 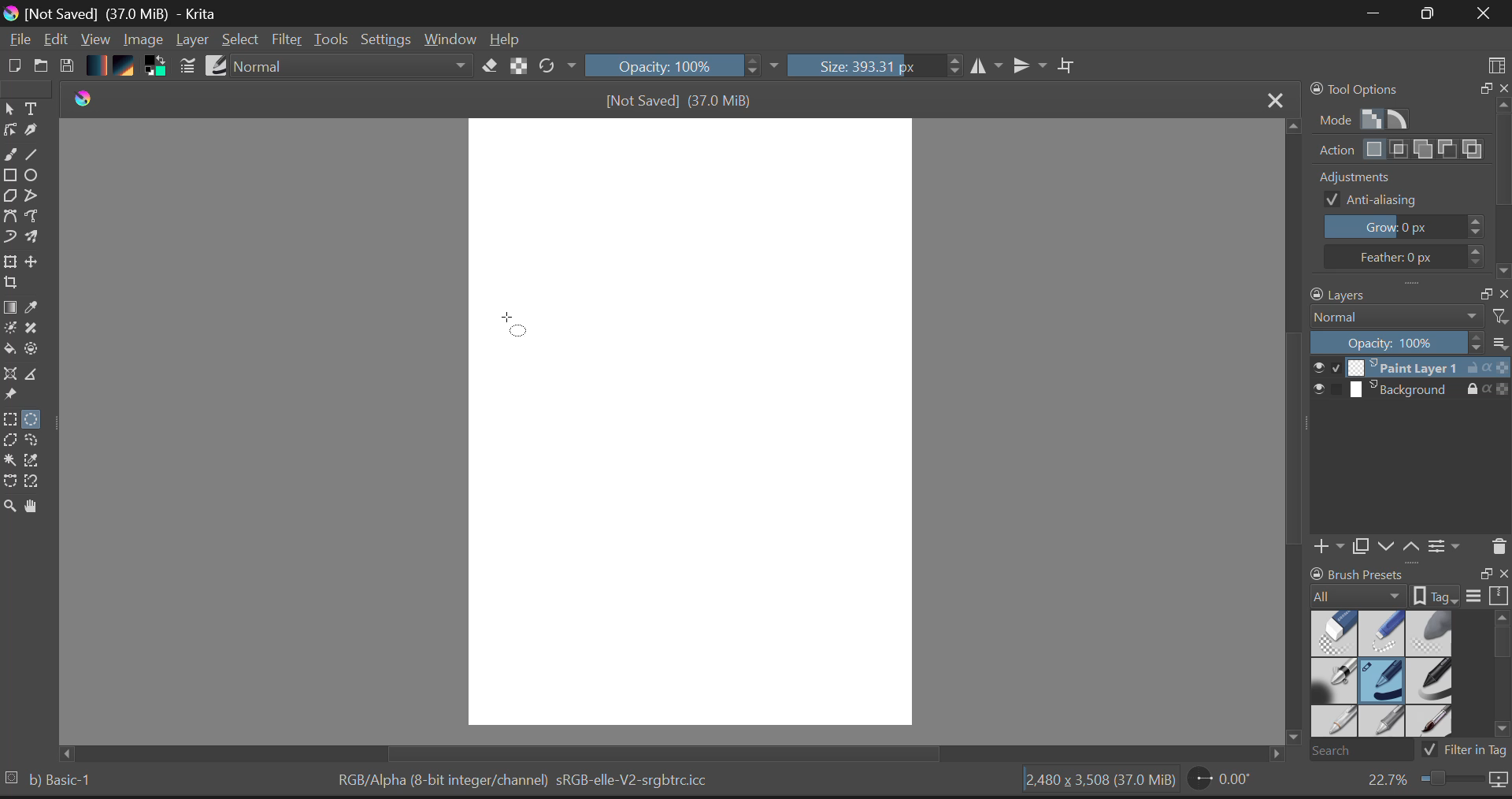 I want to click on Brush Presets Docker, so click(x=1406, y=662).